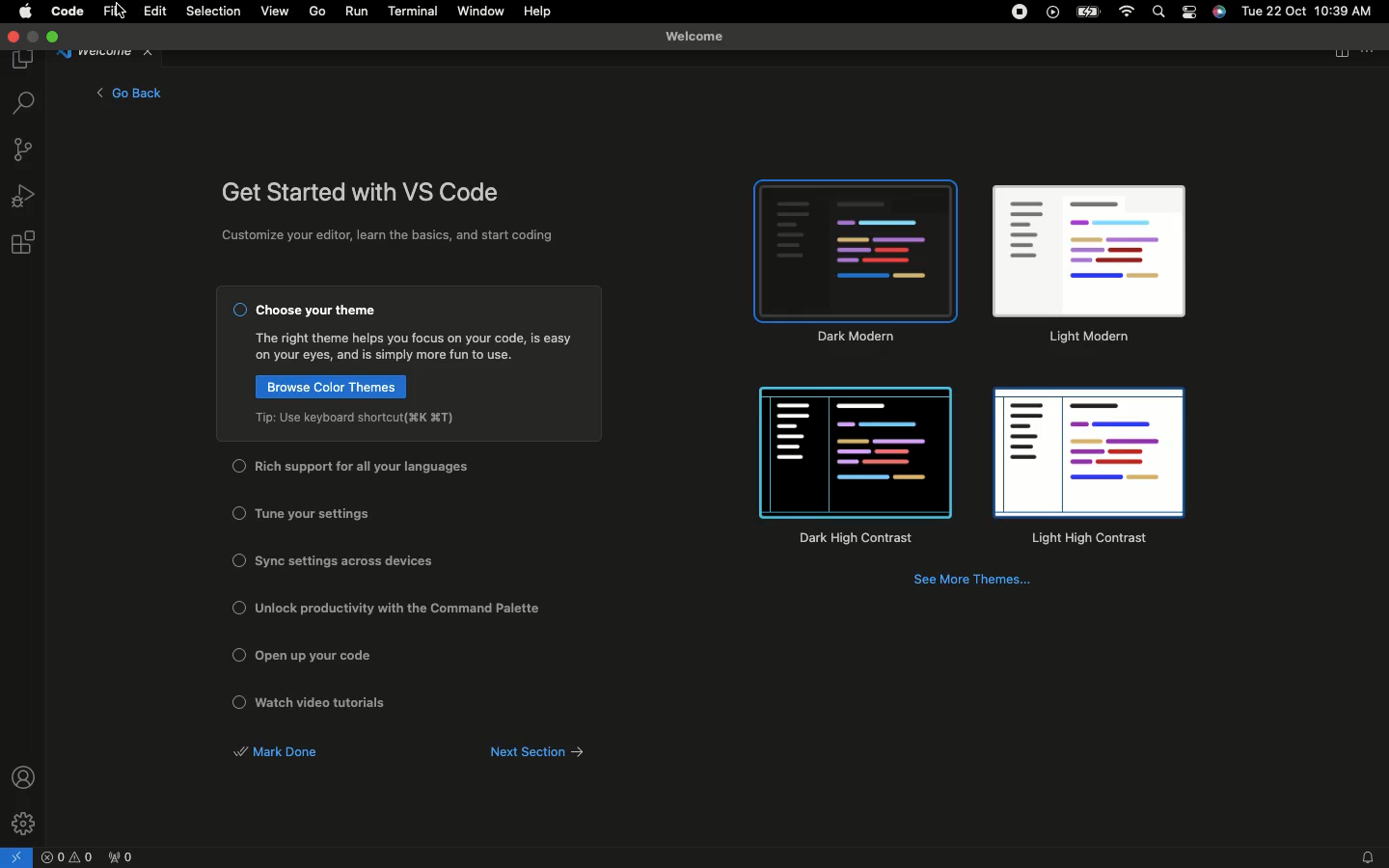 This screenshot has height=868, width=1389. What do you see at coordinates (313, 514) in the screenshot?
I see `Tune your settings` at bounding box center [313, 514].